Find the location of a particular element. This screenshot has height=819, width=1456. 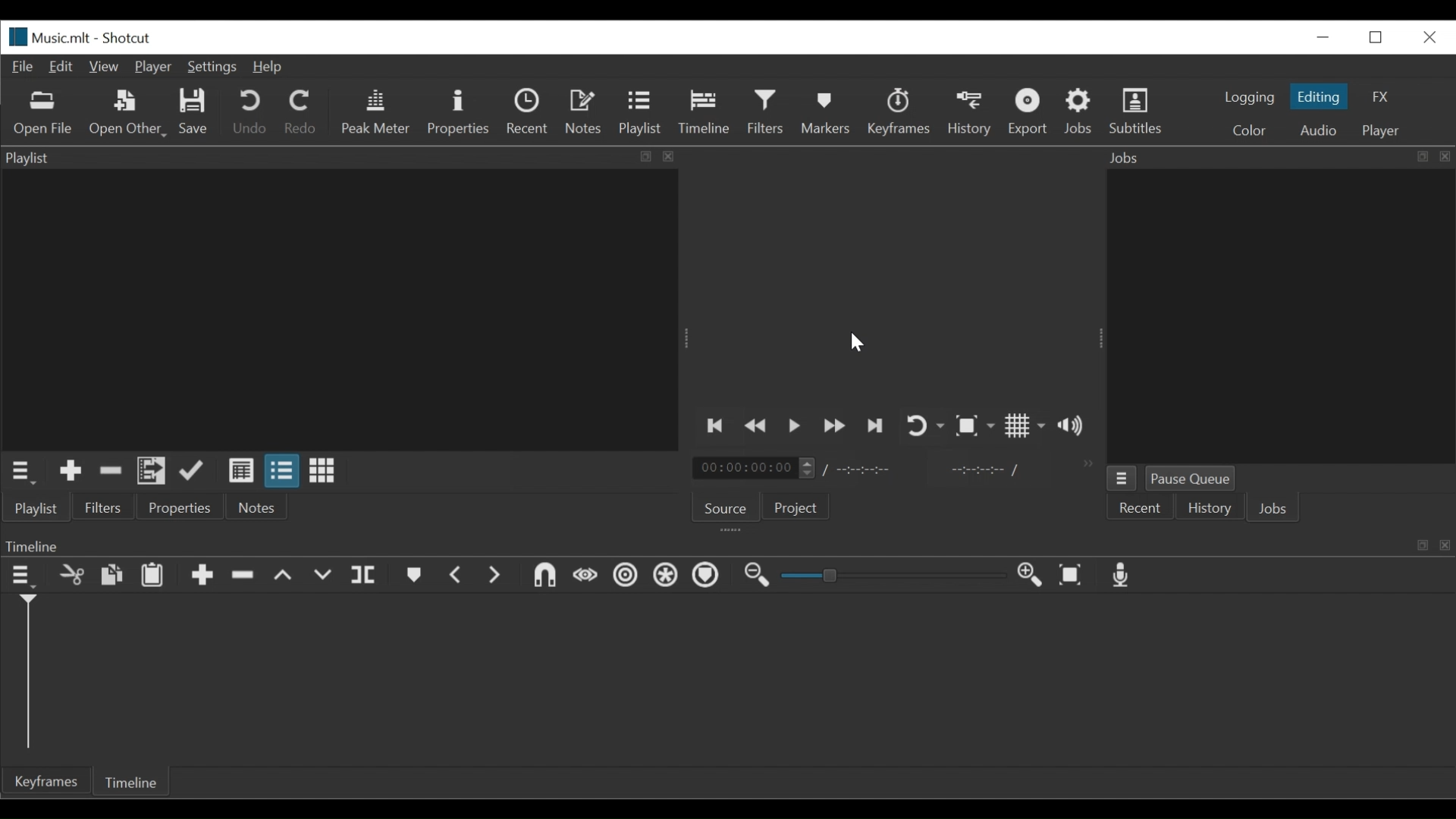

Scrub while dragging is located at coordinates (585, 577).